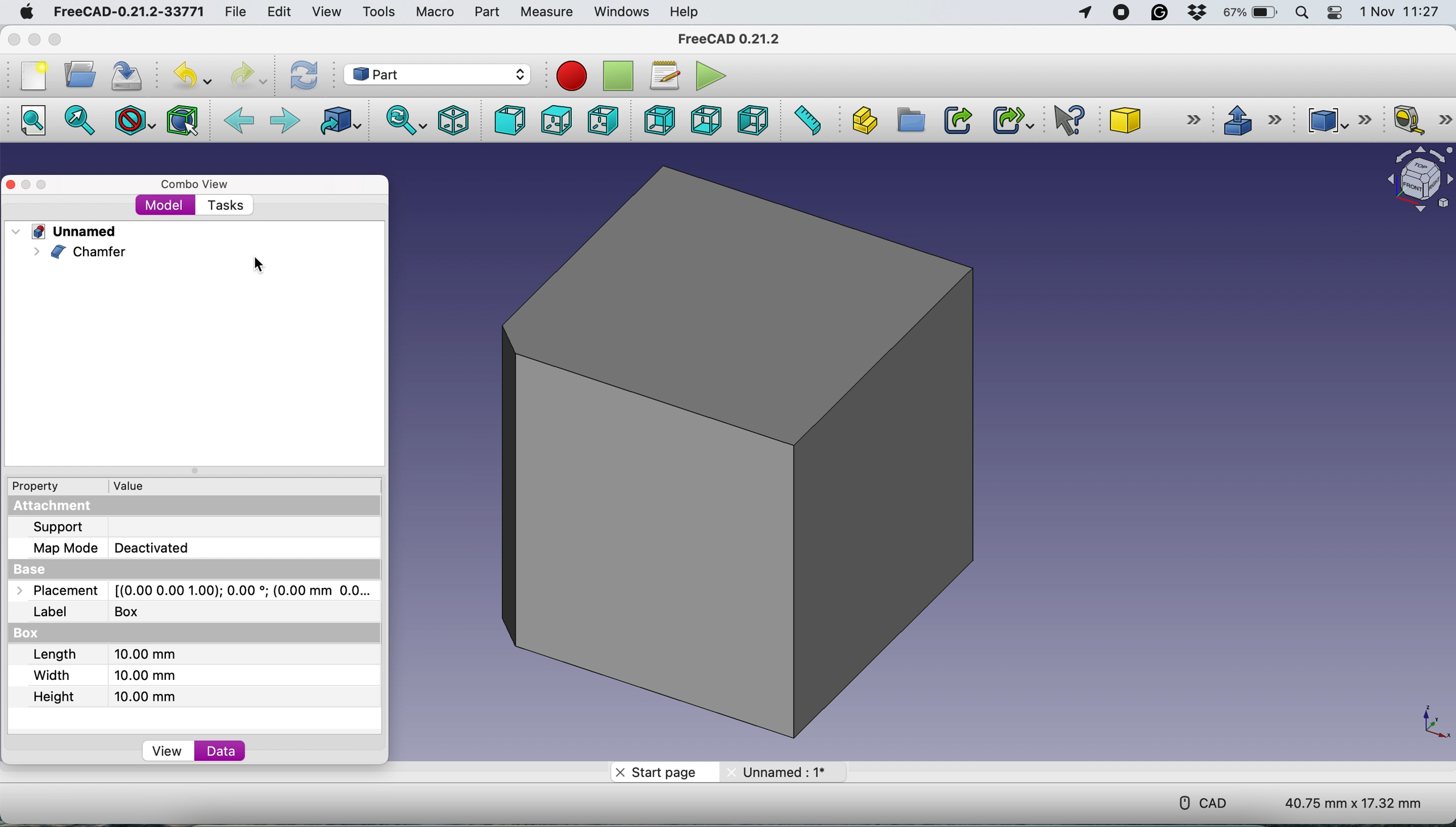 This screenshot has height=827, width=1456. What do you see at coordinates (1305, 15) in the screenshot?
I see `spotlight searc` at bounding box center [1305, 15].